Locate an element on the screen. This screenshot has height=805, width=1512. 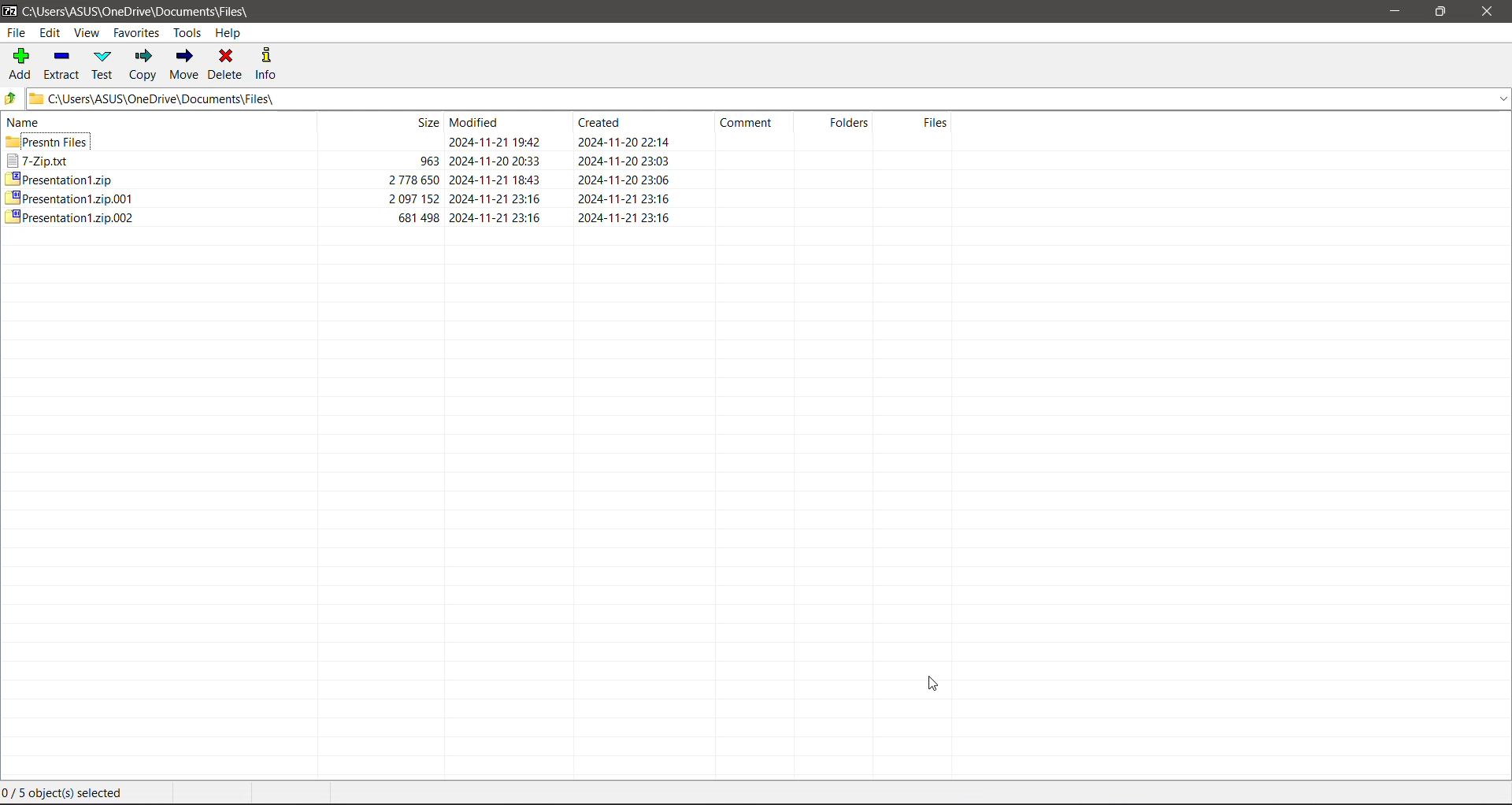
Current Selection is located at coordinates (69, 795).